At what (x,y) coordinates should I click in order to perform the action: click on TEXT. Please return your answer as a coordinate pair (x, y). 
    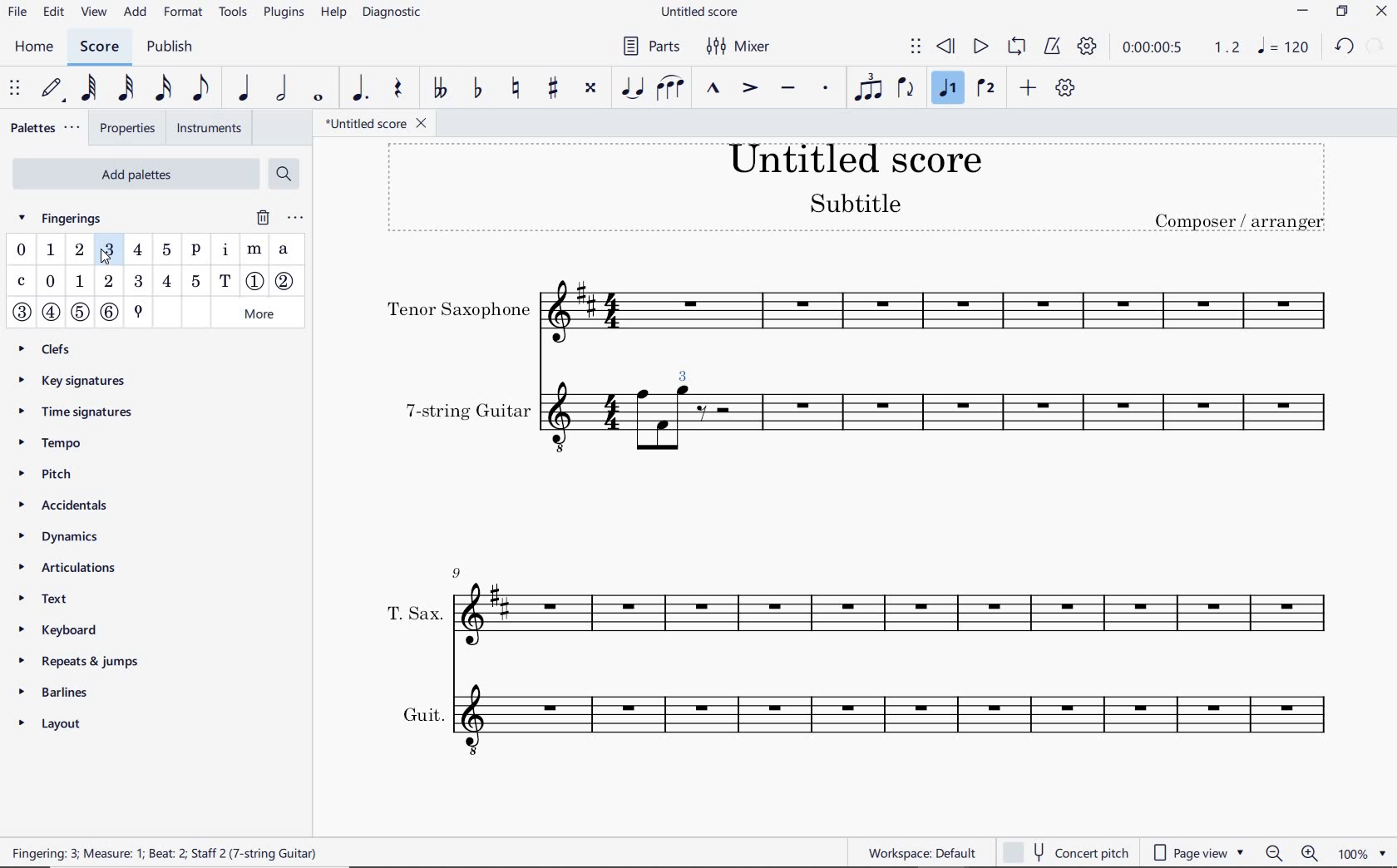
    Looking at the image, I should click on (66, 601).